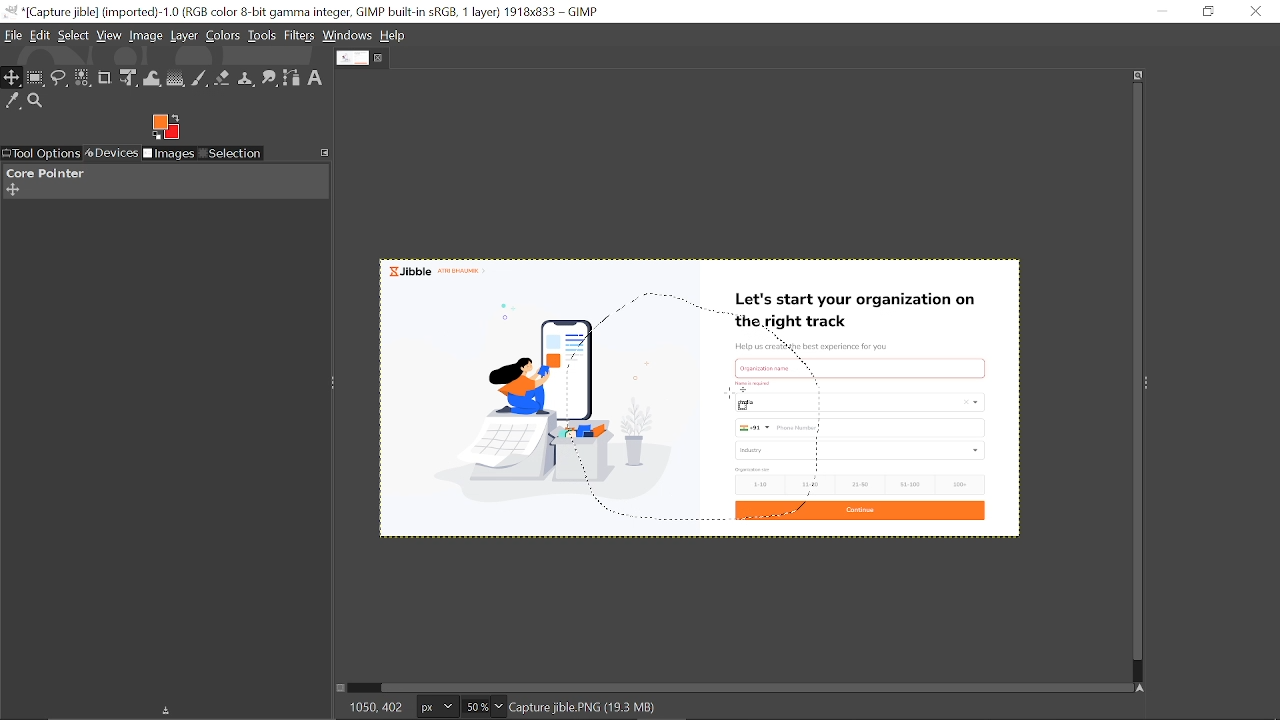 This screenshot has width=1280, height=720. I want to click on Help us create the best experience for you, so click(811, 347).